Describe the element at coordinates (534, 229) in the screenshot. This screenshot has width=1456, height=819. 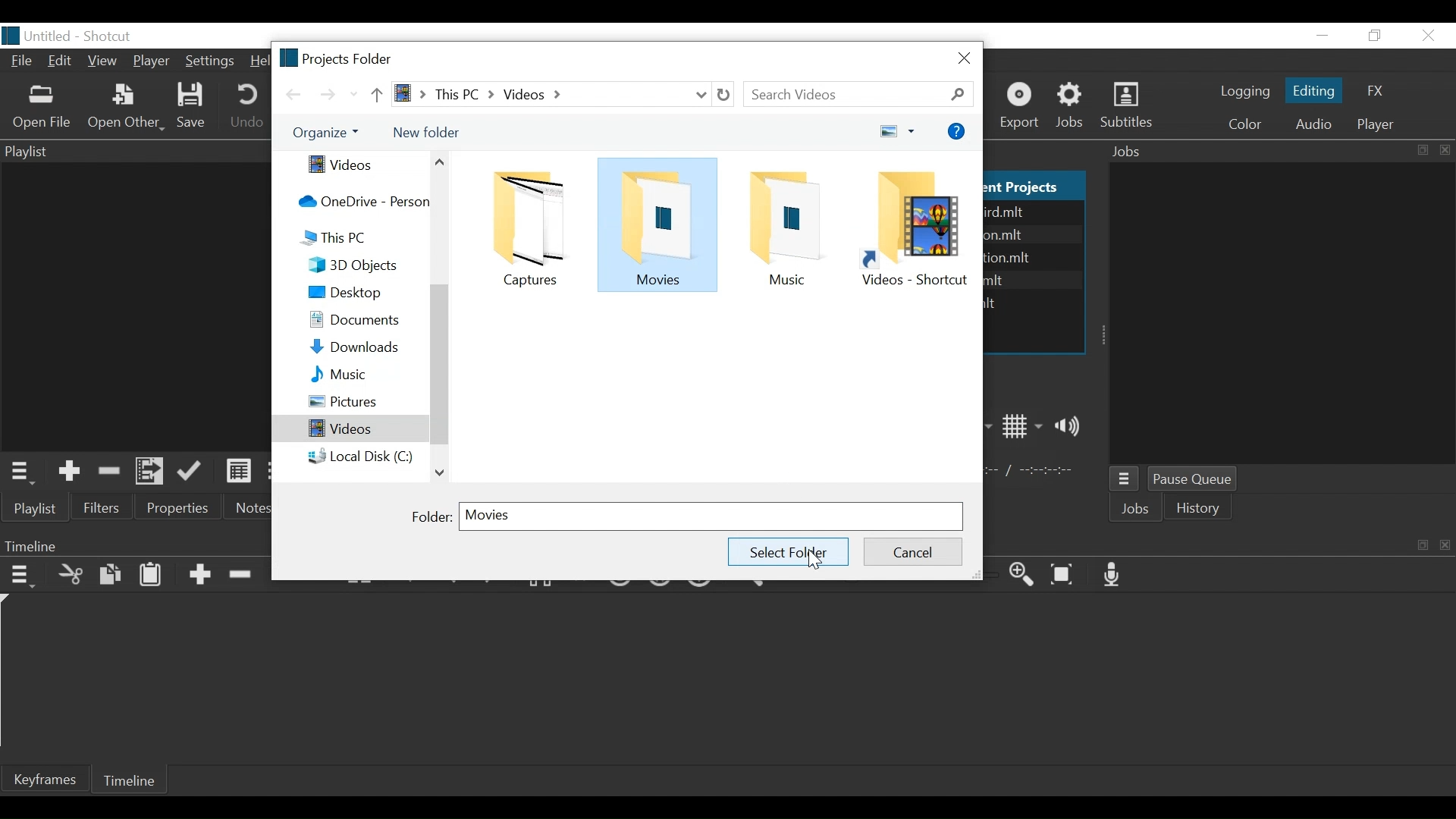
I see `Folder` at that location.